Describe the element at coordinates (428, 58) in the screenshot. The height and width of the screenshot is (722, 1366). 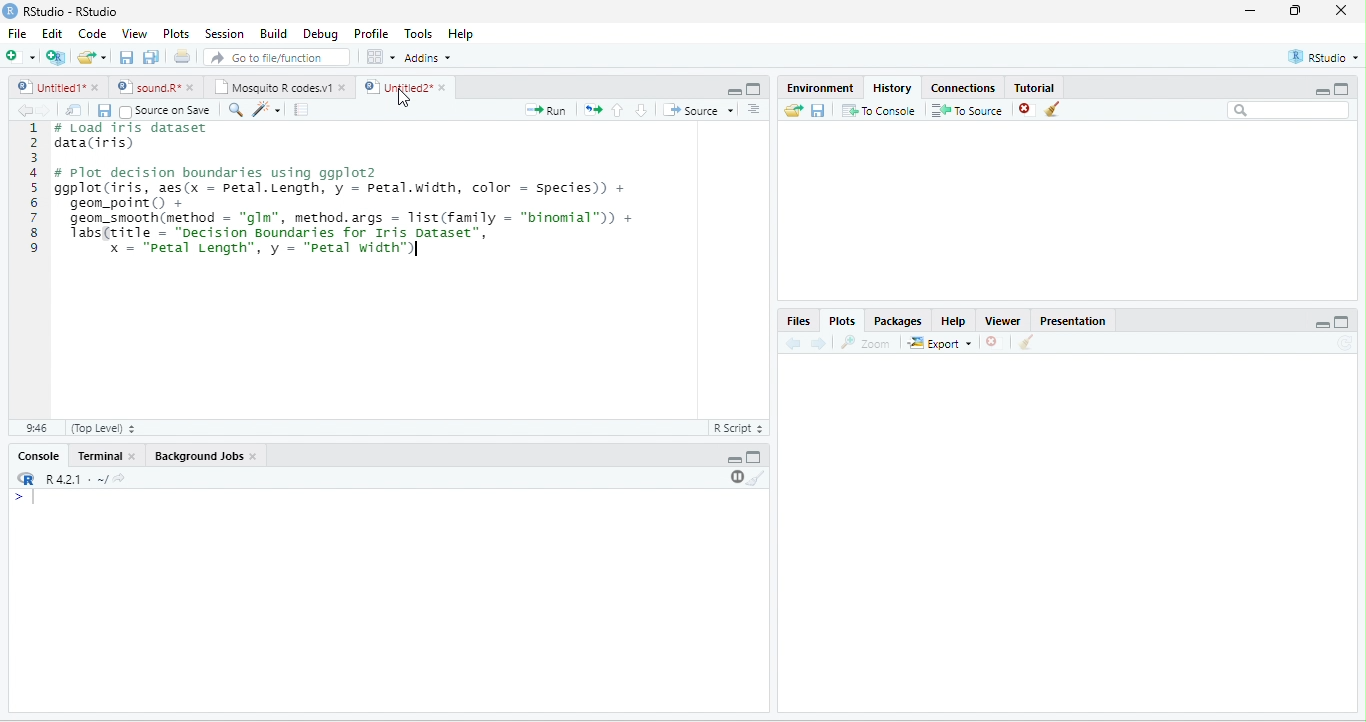
I see `Addins` at that location.